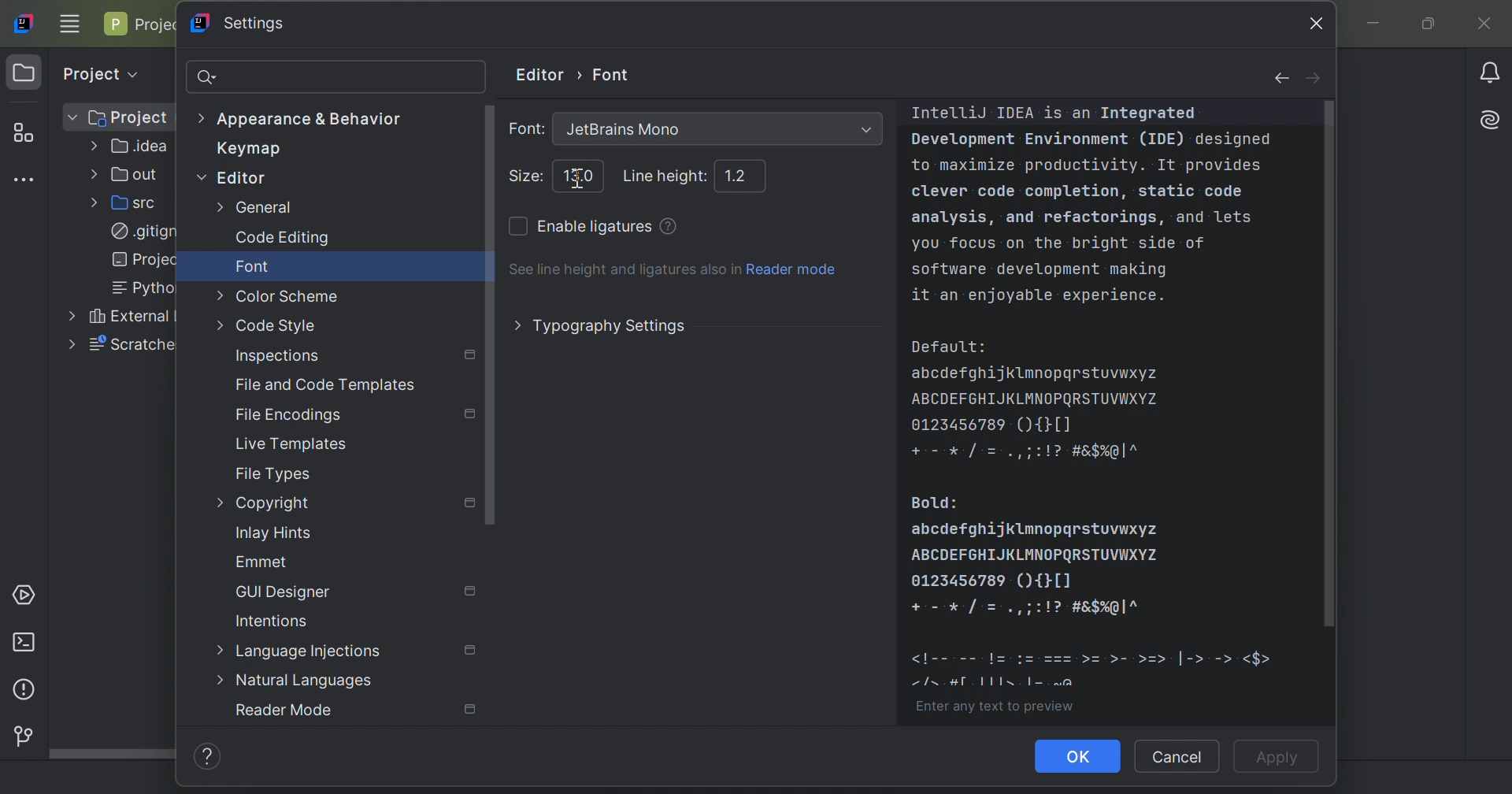 The width and height of the screenshot is (1512, 794). What do you see at coordinates (118, 315) in the screenshot?
I see `External` at bounding box center [118, 315].